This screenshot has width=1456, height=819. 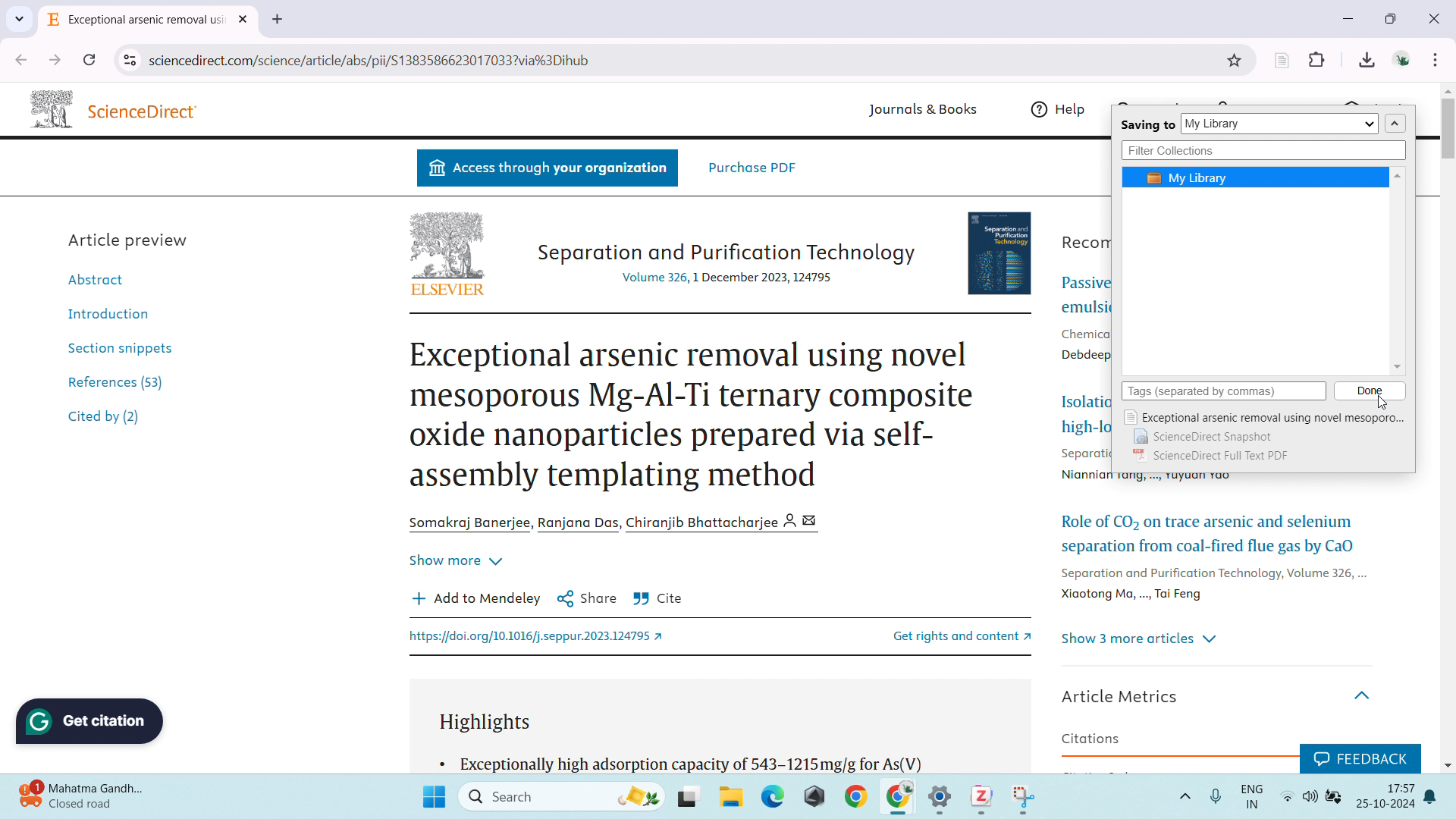 I want to click on scroll up, so click(x=1447, y=90).